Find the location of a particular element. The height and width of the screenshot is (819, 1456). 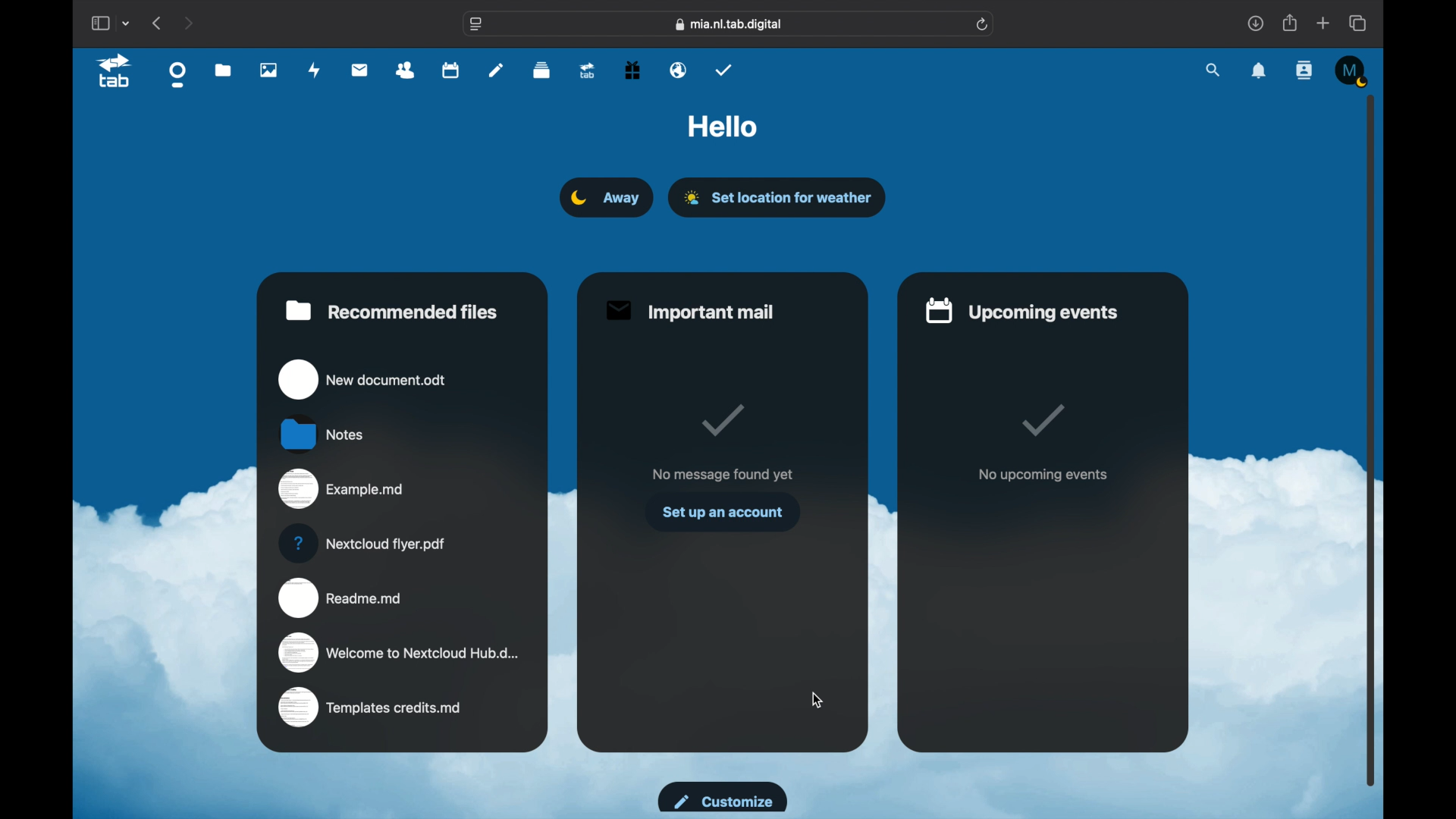

deck is located at coordinates (542, 70).